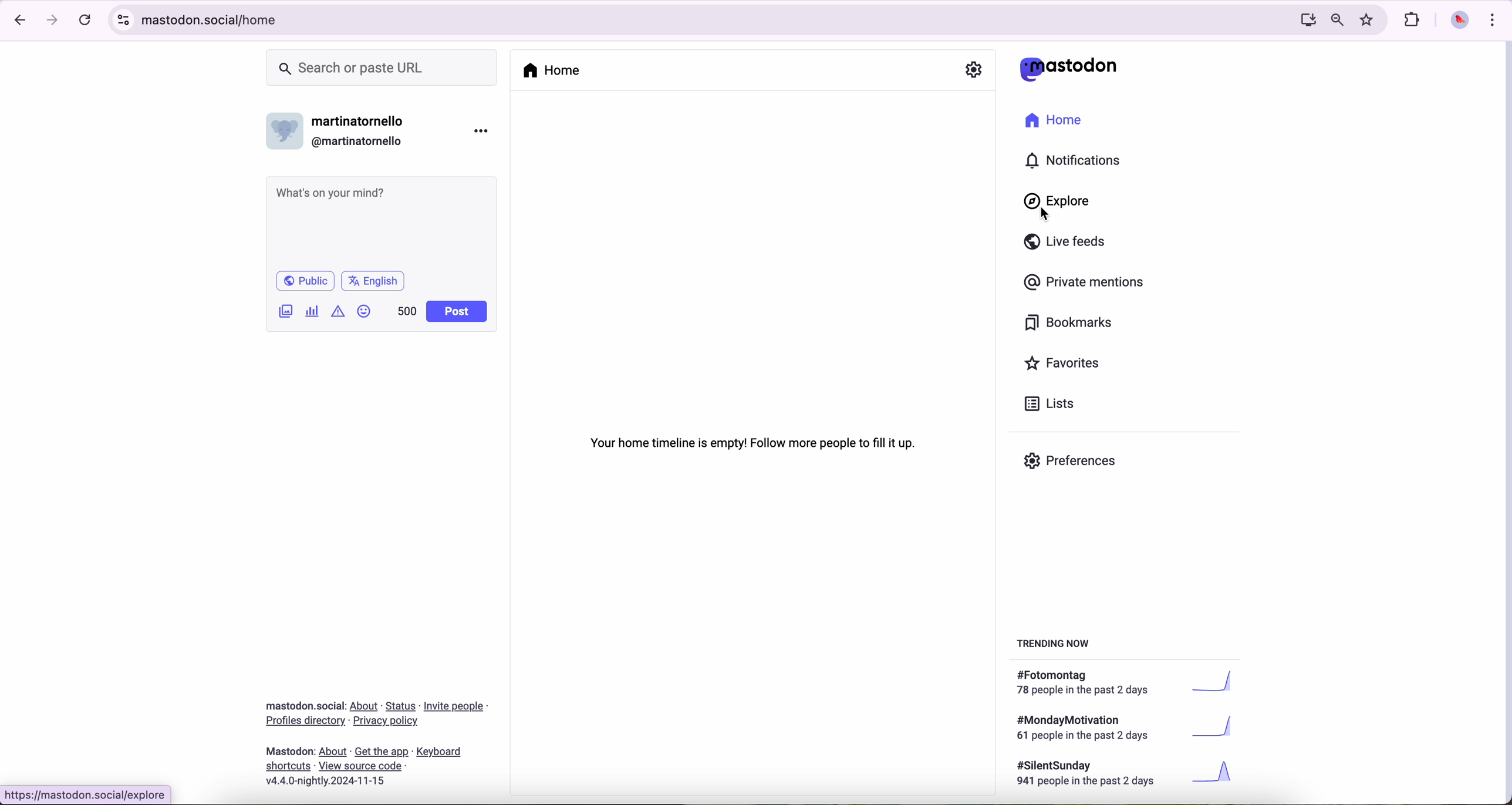 The width and height of the screenshot is (1512, 805). What do you see at coordinates (339, 311) in the screenshot?
I see `icon` at bounding box center [339, 311].